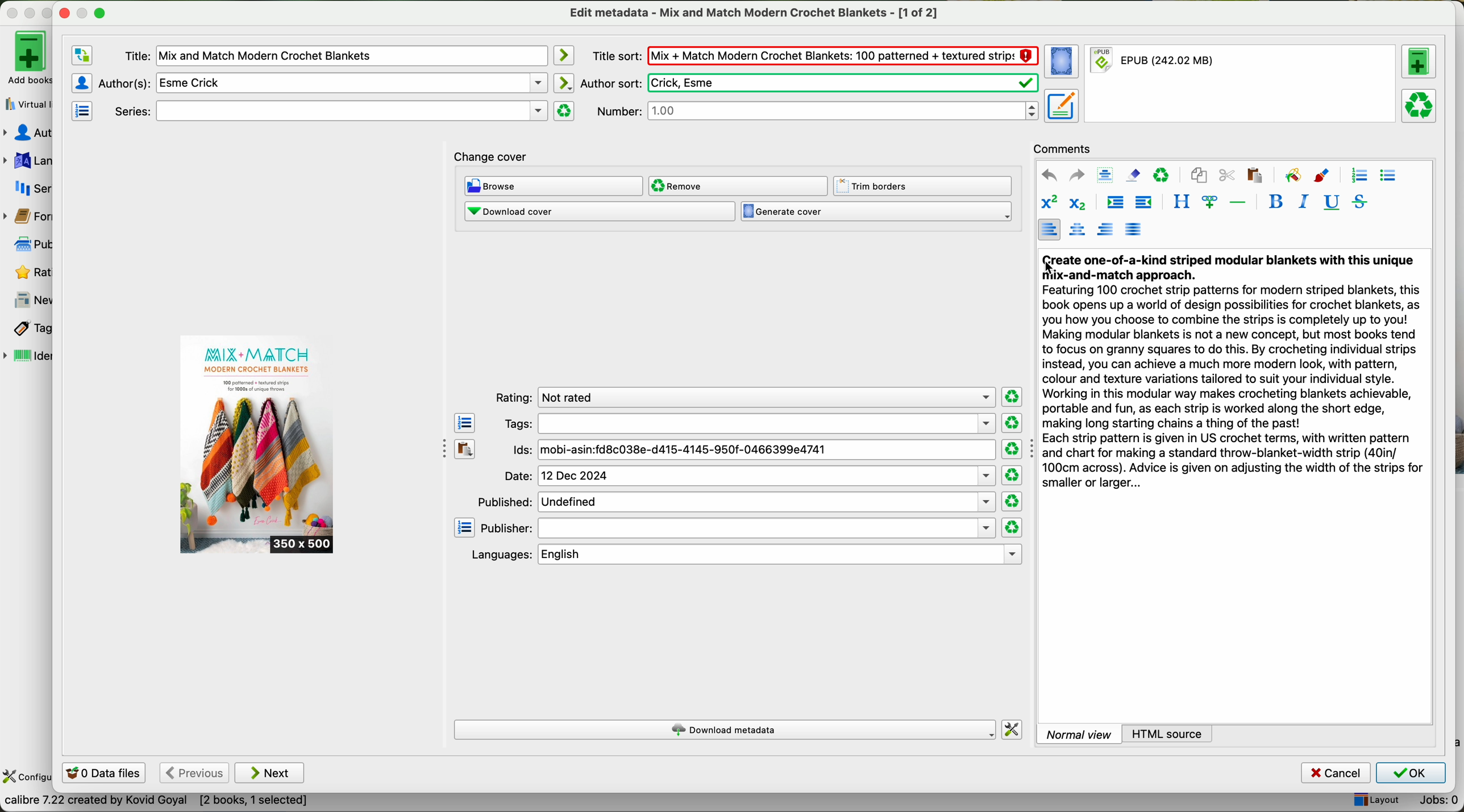 The image size is (1464, 812). I want to click on close program, so click(12, 13).